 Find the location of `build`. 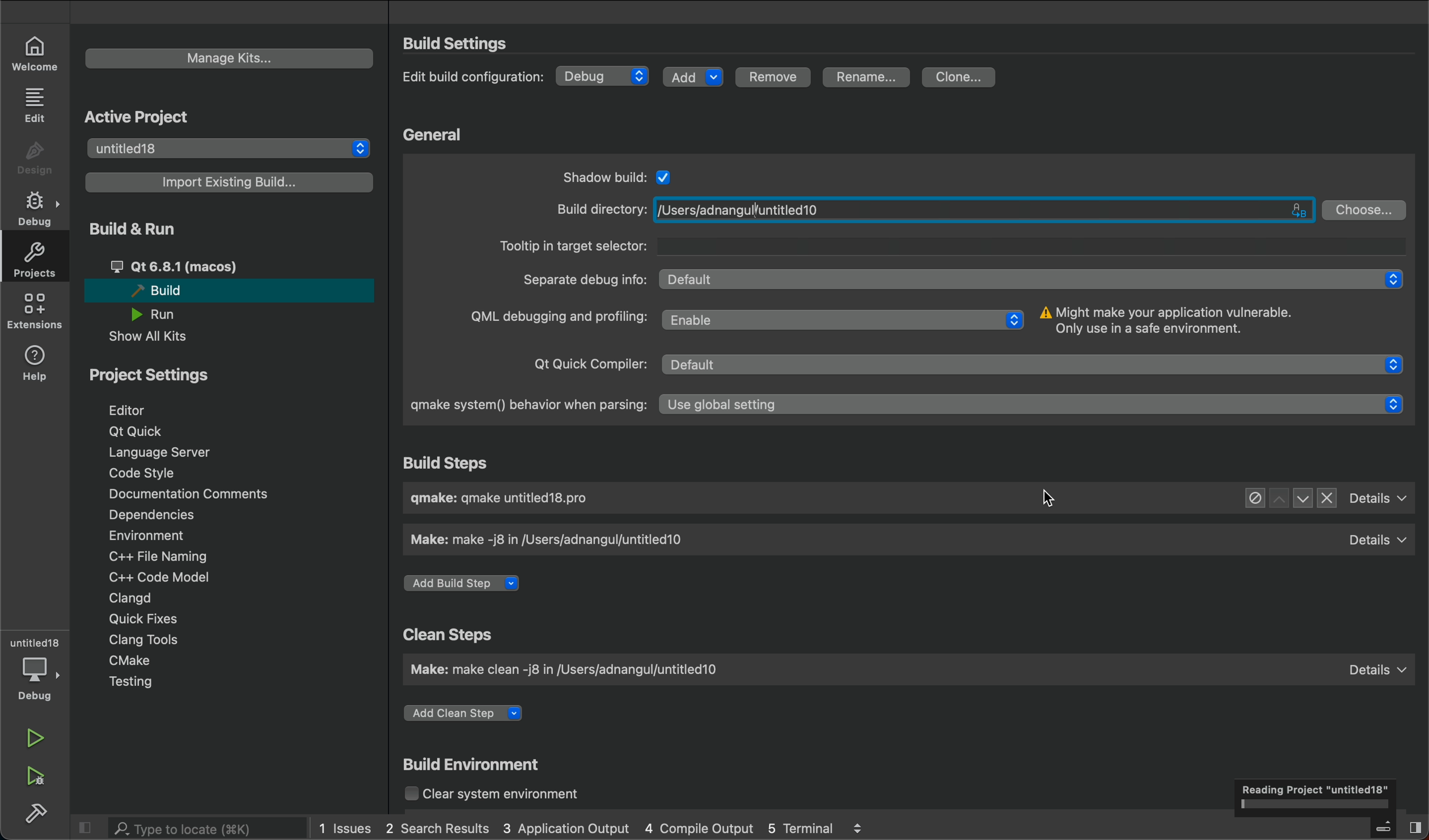

build is located at coordinates (37, 814).